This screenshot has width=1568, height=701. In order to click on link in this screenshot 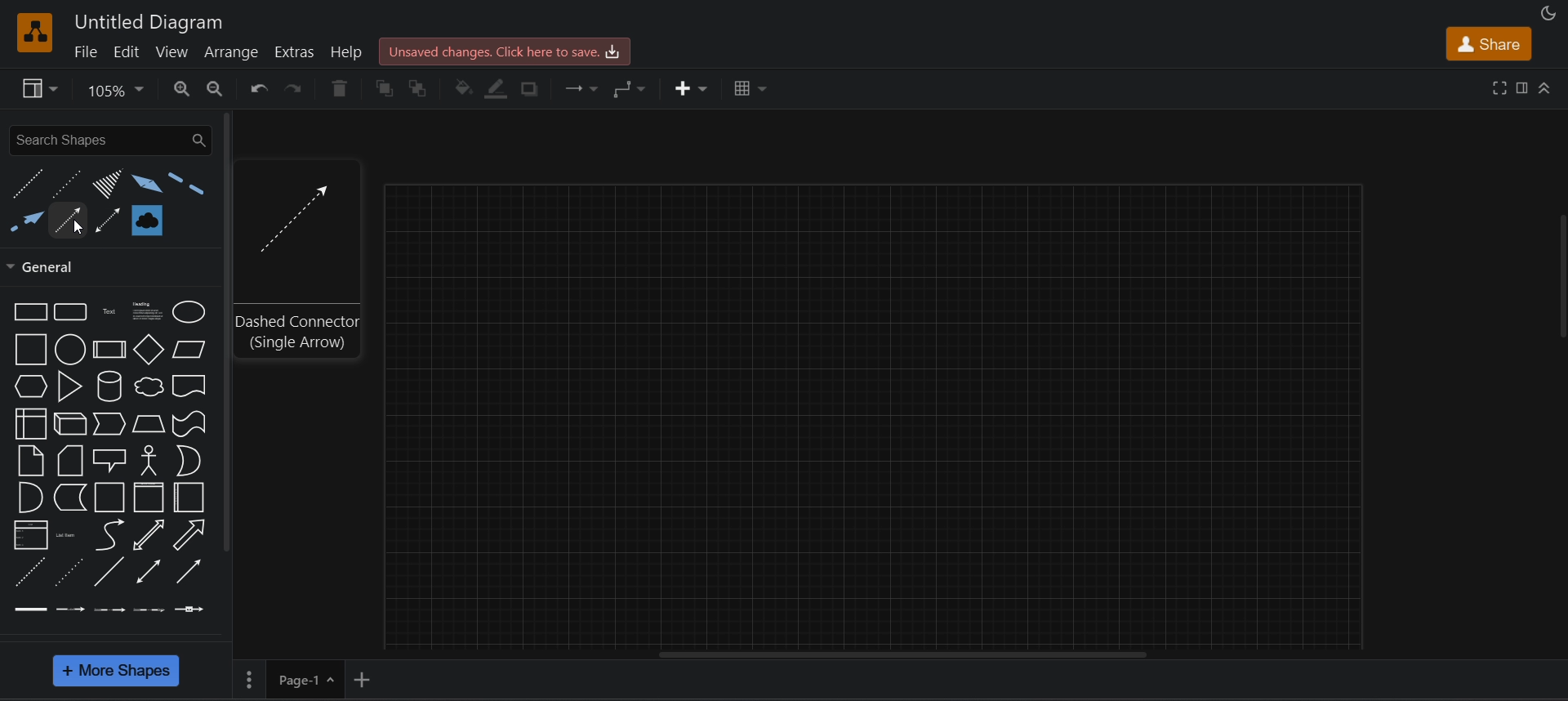, I will do `click(28, 609)`.